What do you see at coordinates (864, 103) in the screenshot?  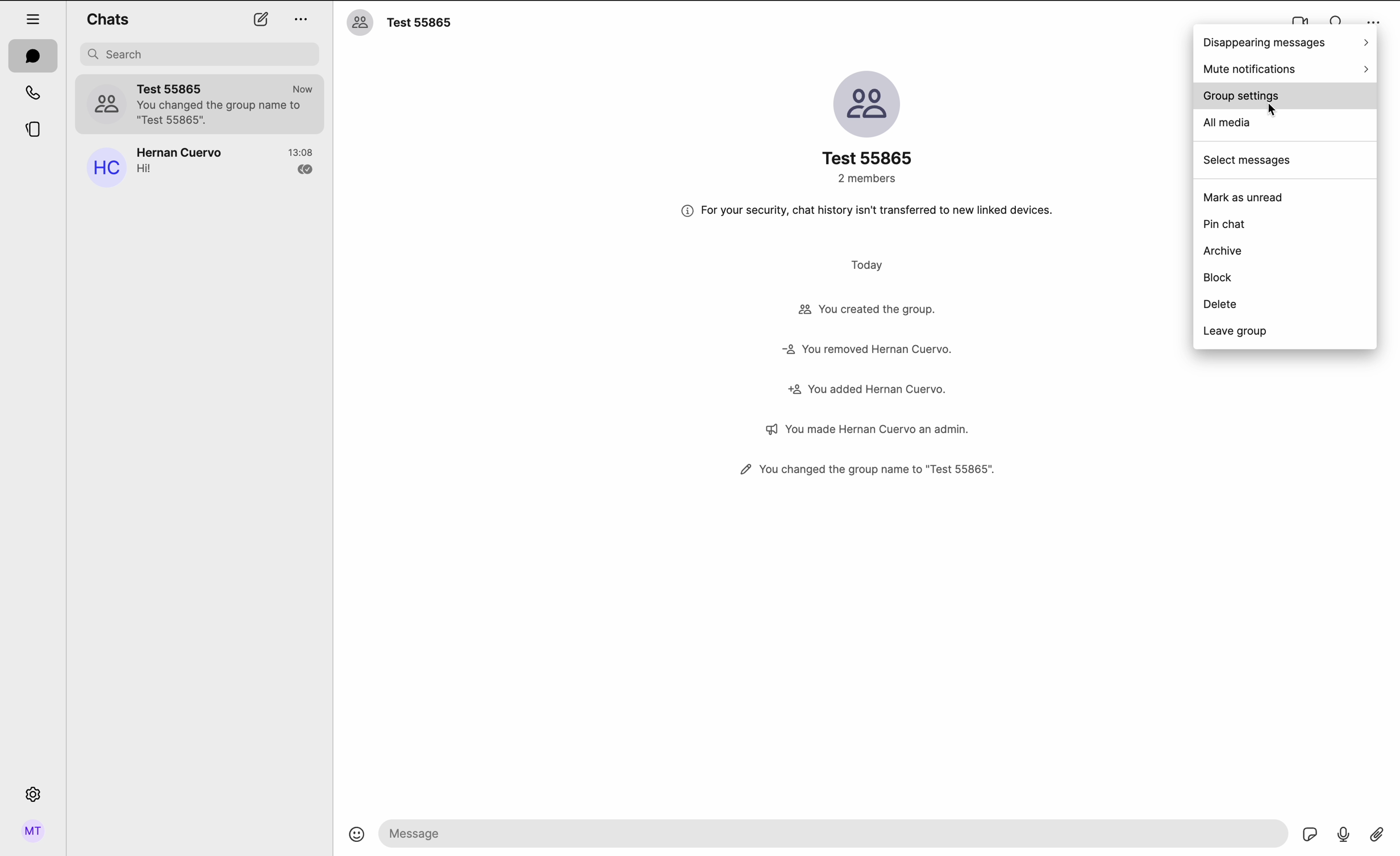 I see `image group` at bounding box center [864, 103].